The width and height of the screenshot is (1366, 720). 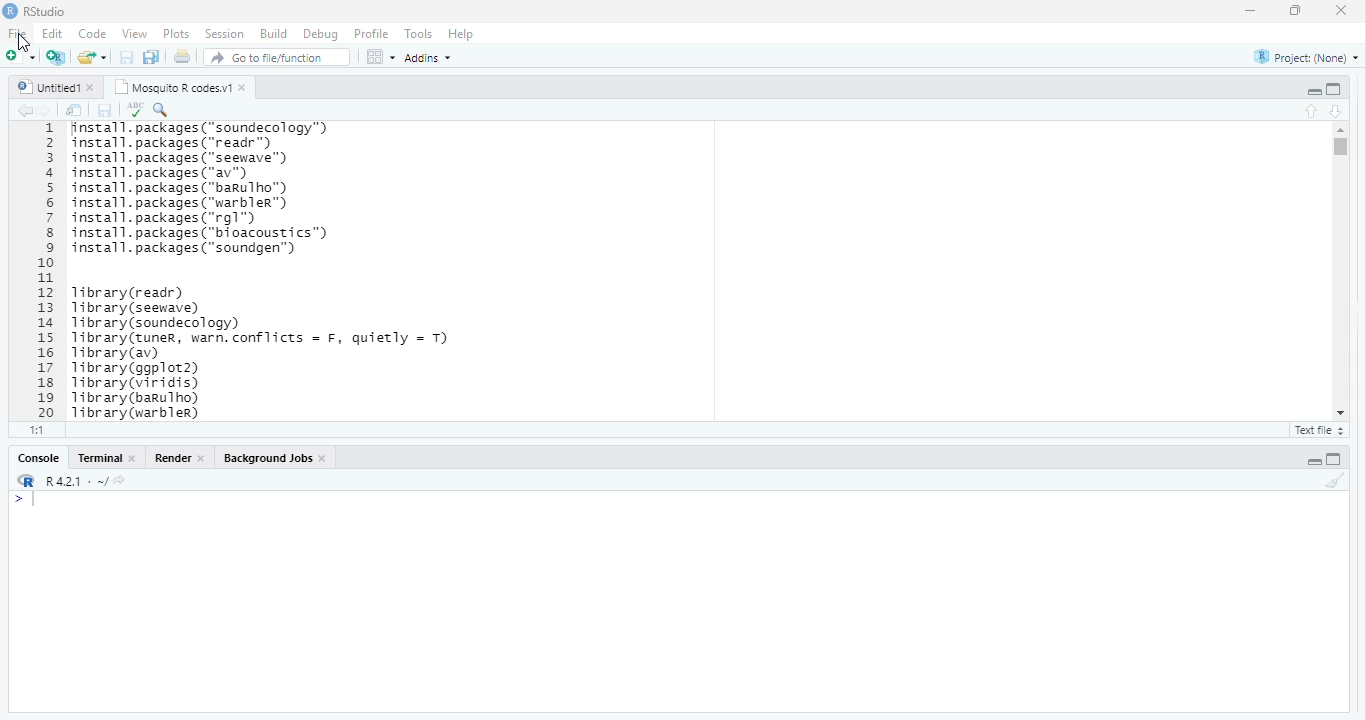 What do you see at coordinates (128, 57) in the screenshot?
I see `save` at bounding box center [128, 57].